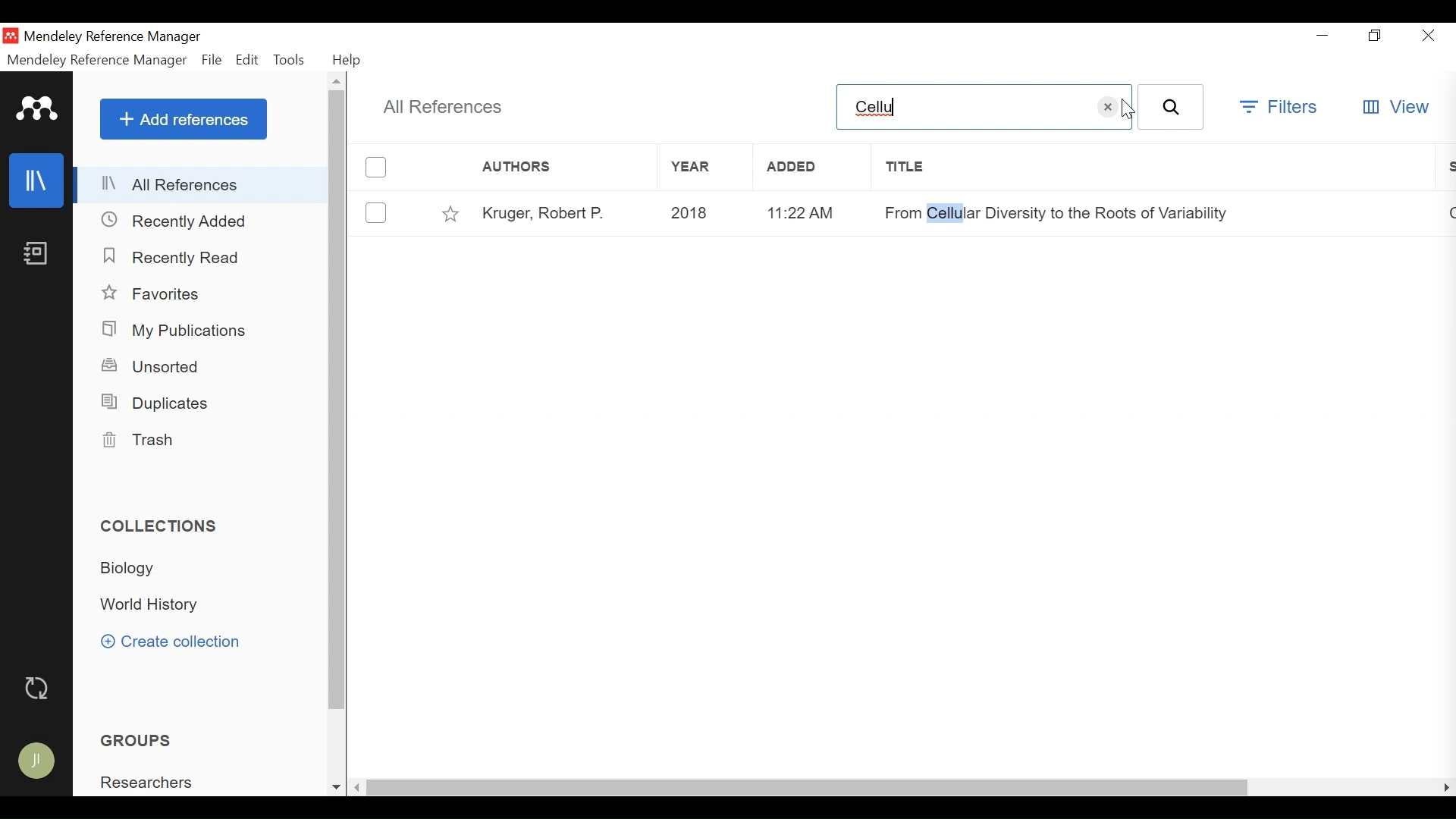  I want to click on Kruger, Robert P., so click(560, 212).